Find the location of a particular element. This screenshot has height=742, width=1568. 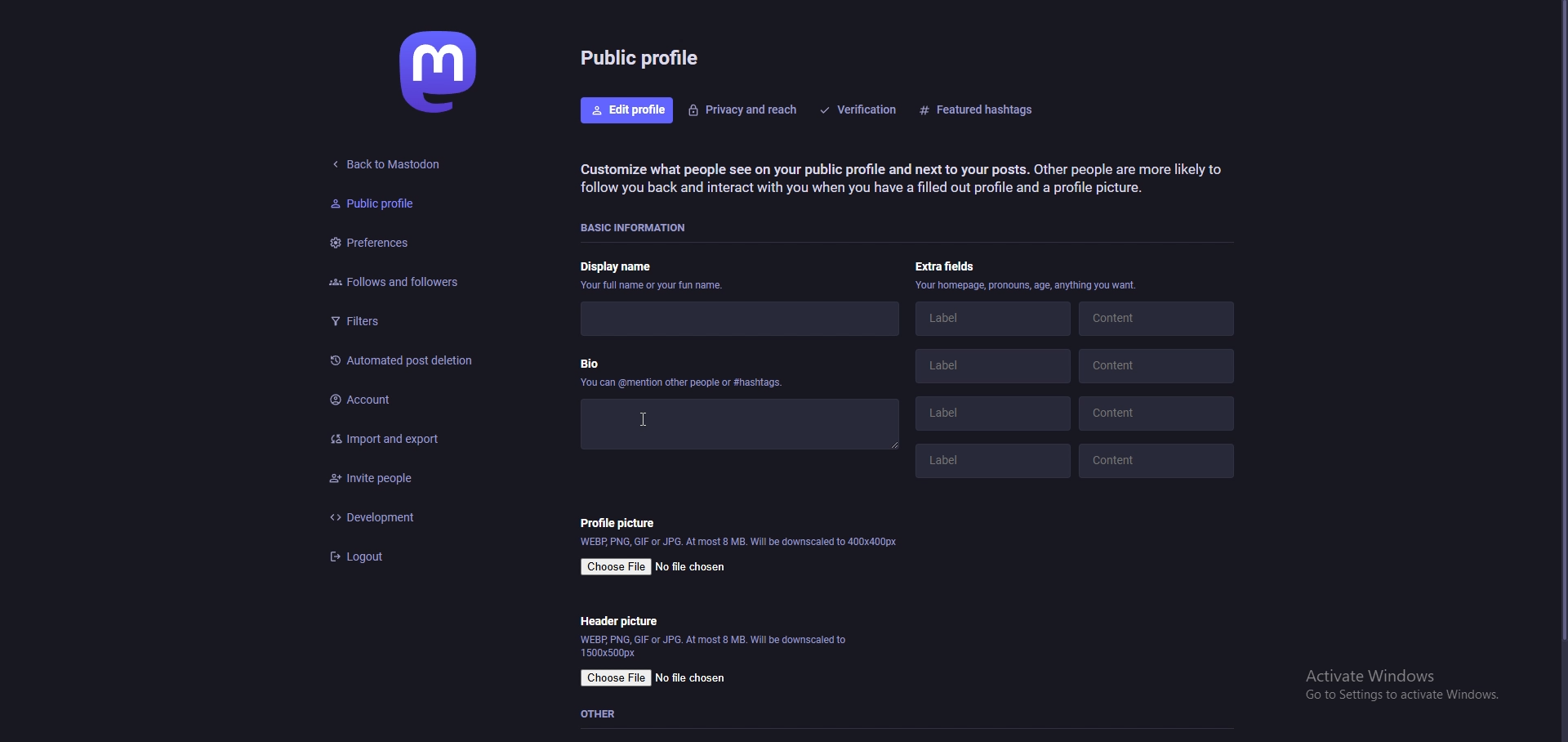

no file chosen is located at coordinates (690, 568).